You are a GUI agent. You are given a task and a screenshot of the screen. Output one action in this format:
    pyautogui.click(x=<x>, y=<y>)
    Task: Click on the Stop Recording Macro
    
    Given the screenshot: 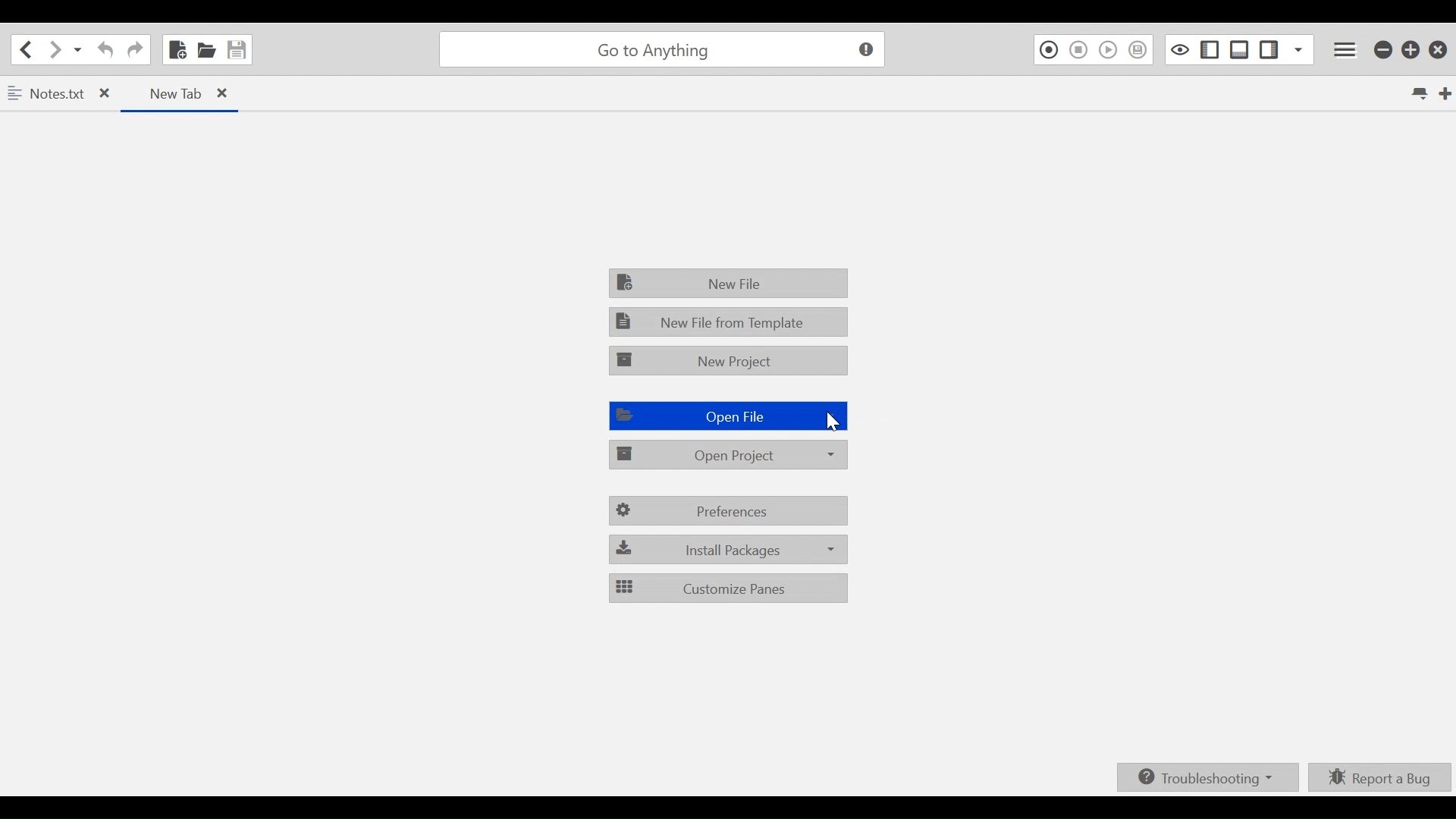 What is the action you would take?
    pyautogui.click(x=1078, y=50)
    